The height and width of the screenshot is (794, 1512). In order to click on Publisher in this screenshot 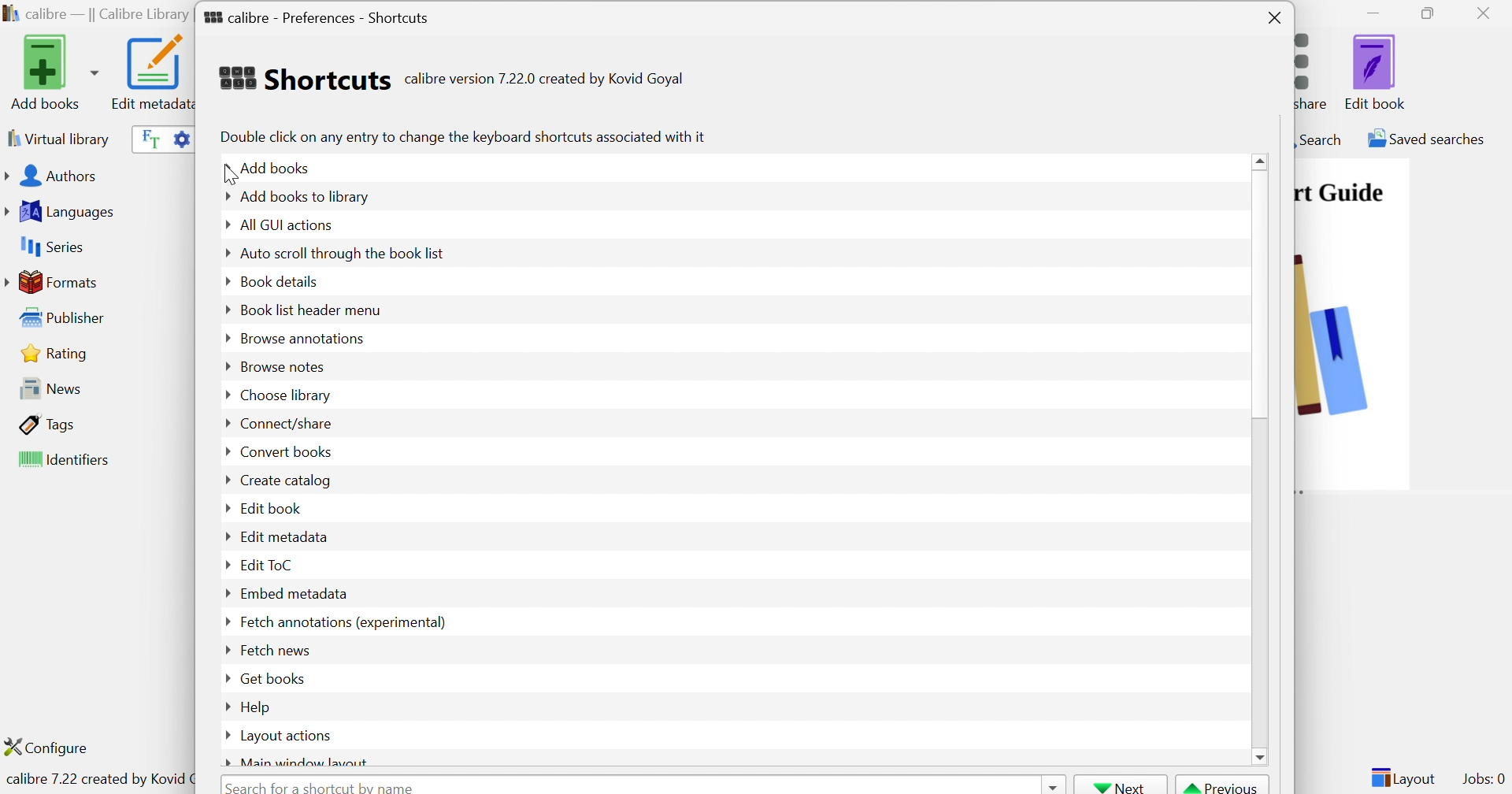, I will do `click(66, 318)`.